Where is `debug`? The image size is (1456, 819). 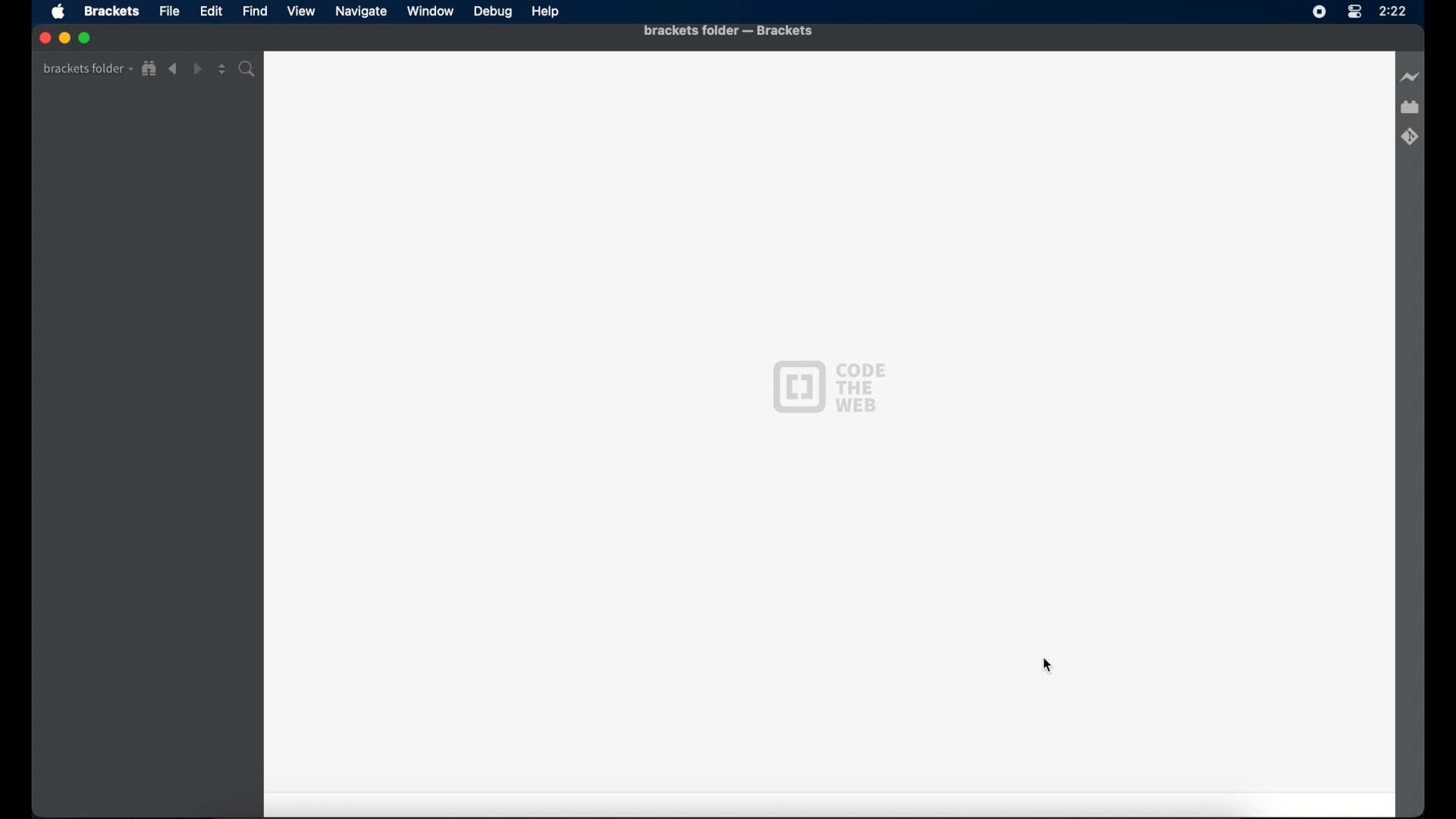 debug is located at coordinates (494, 13).